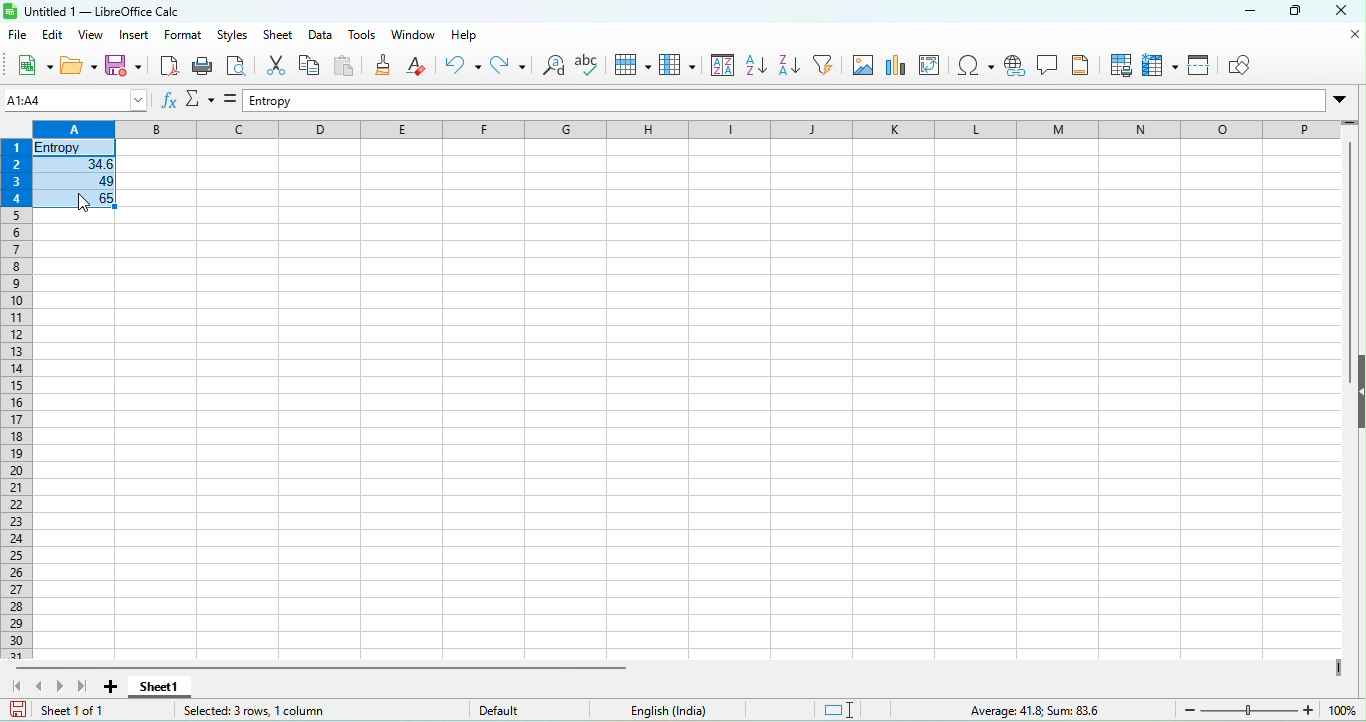  Describe the element at coordinates (1001, 711) in the screenshot. I see `average sum=0` at that location.